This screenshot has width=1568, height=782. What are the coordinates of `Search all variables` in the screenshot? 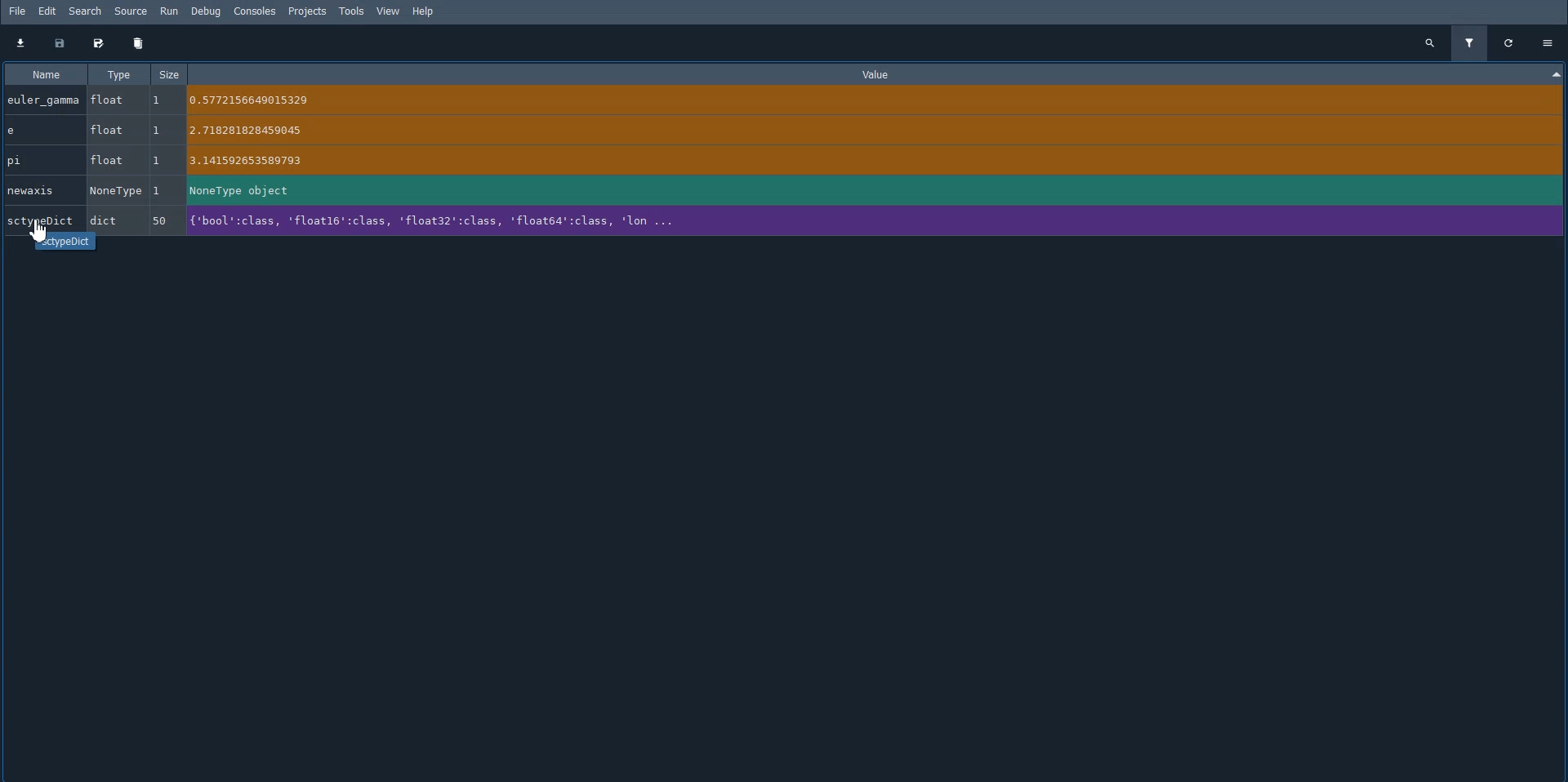 It's located at (1430, 42).